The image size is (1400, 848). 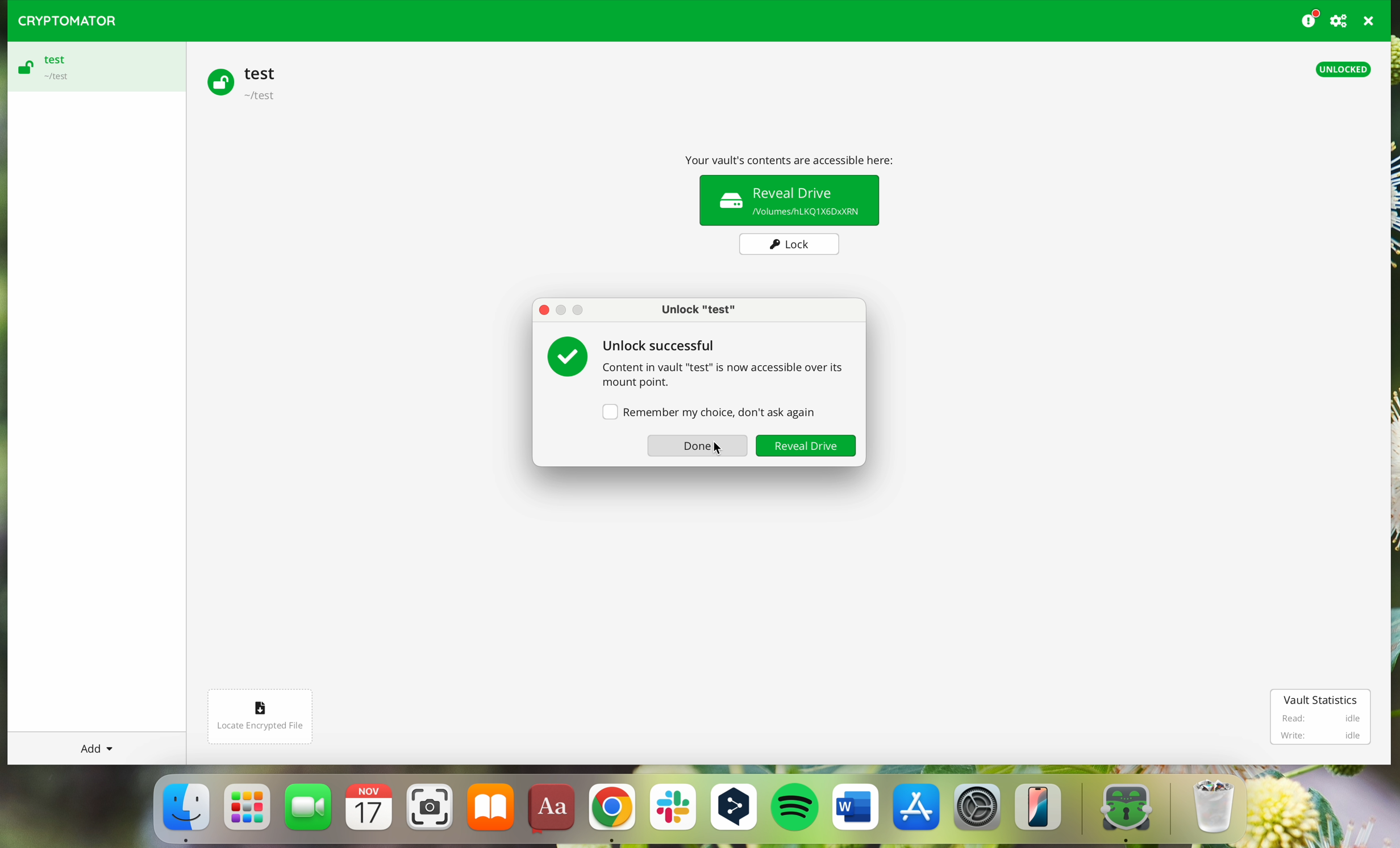 What do you see at coordinates (789, 190) in the screenshot?
I see `vault unlocked` at bounding box center [789, 190].